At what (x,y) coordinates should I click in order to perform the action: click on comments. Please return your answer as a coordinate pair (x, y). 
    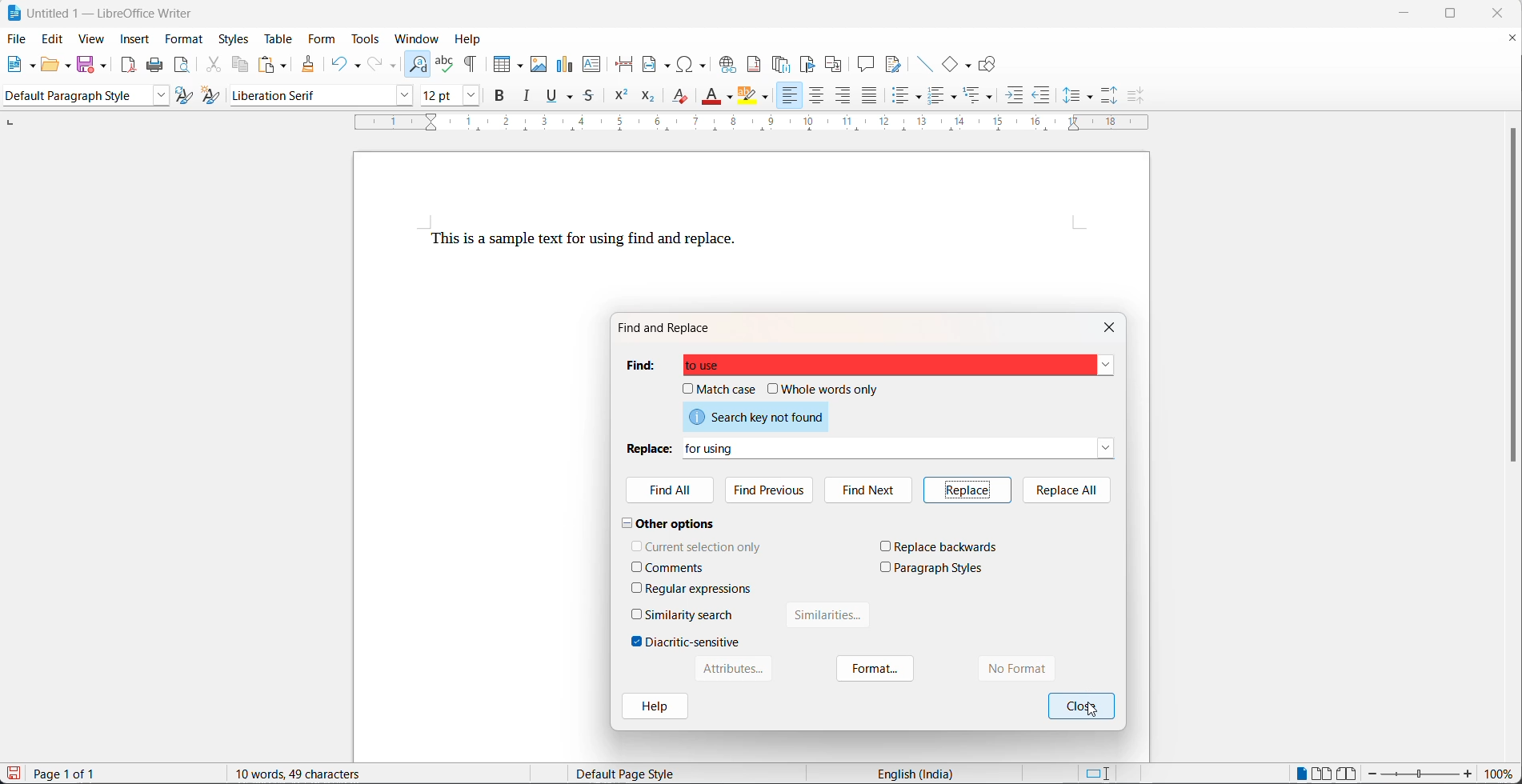
    Looking at the image, I should click on (675, 568).